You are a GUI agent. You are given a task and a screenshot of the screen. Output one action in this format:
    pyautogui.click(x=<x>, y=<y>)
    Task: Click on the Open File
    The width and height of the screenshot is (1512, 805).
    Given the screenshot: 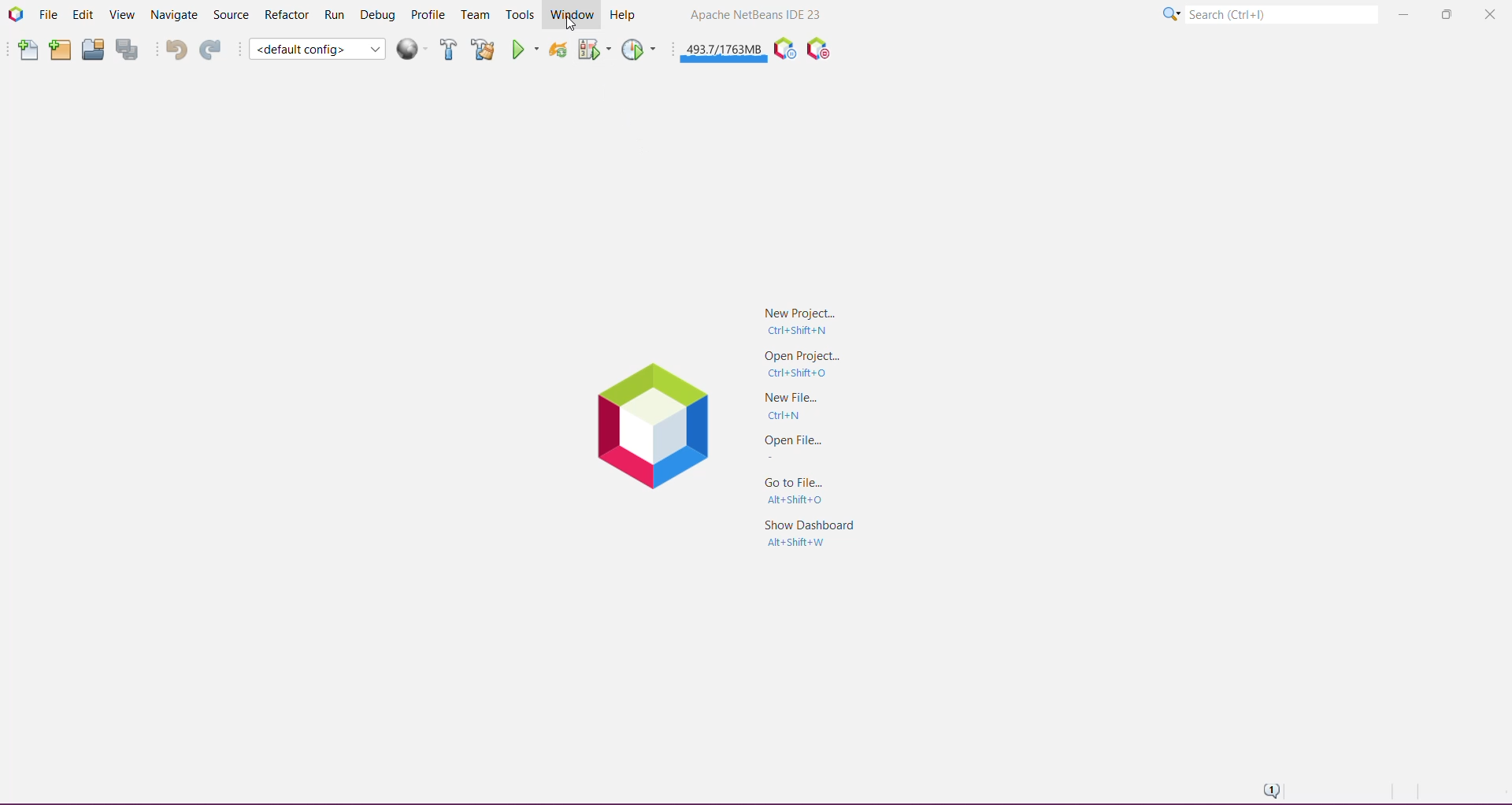 What is the action you would take?
    pyautogui.click(x=795, y=447)
    